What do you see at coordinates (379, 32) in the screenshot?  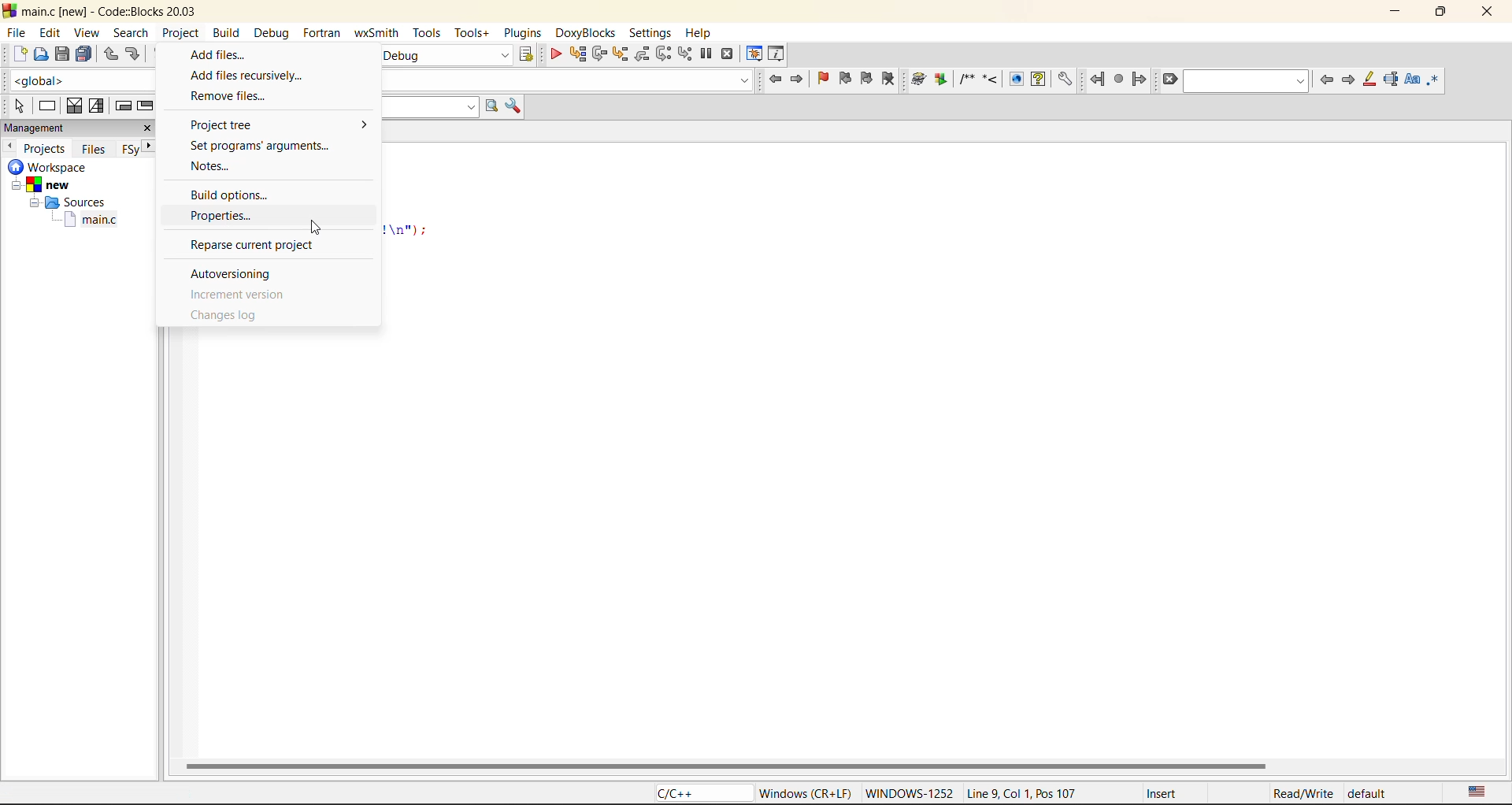 I see `wxsmith` at bounding box center [379, 32].